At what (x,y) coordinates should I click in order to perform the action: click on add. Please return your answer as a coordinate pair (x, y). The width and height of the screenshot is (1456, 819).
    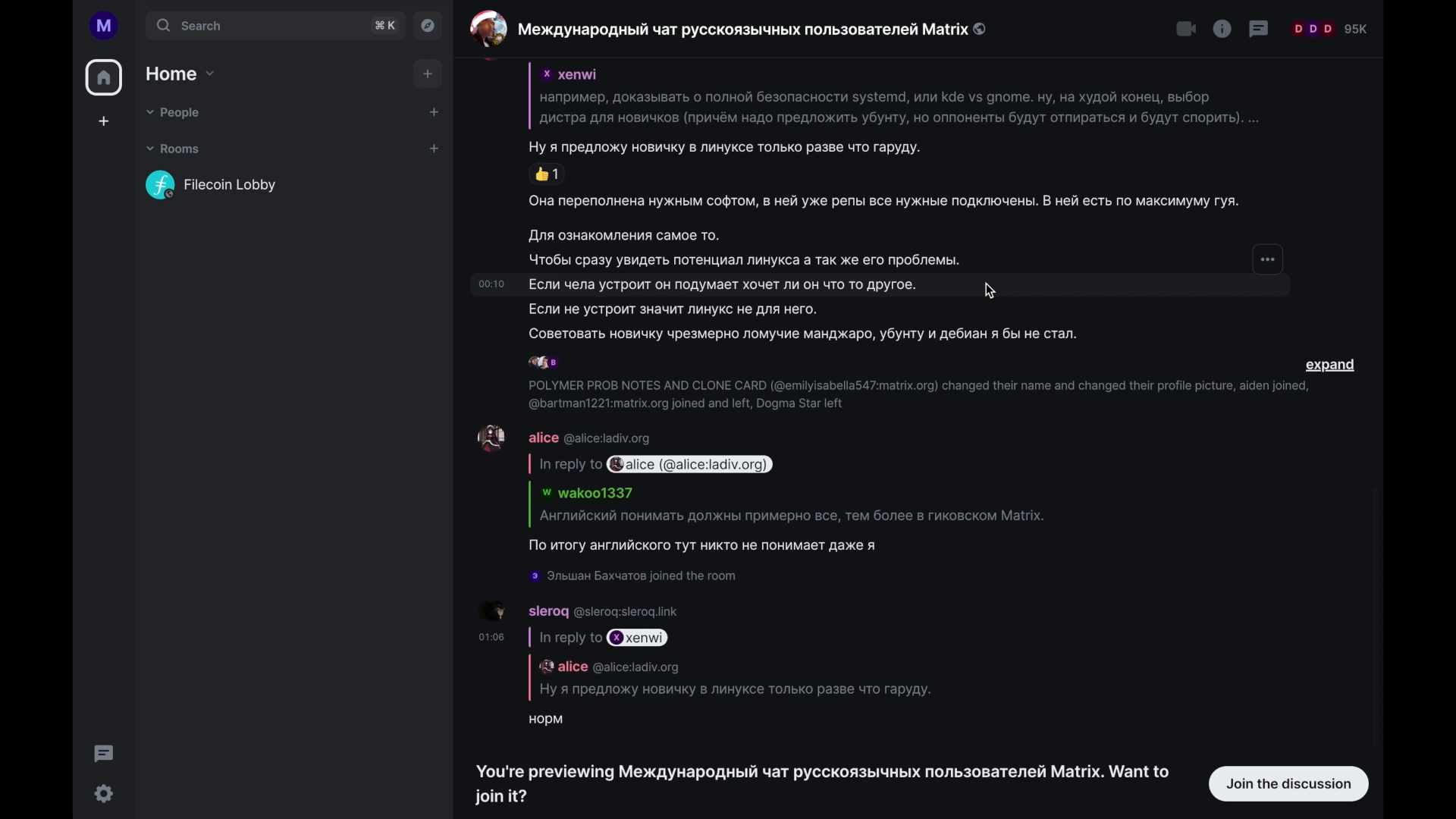
    Looking at the image, I should click on (428, 74).